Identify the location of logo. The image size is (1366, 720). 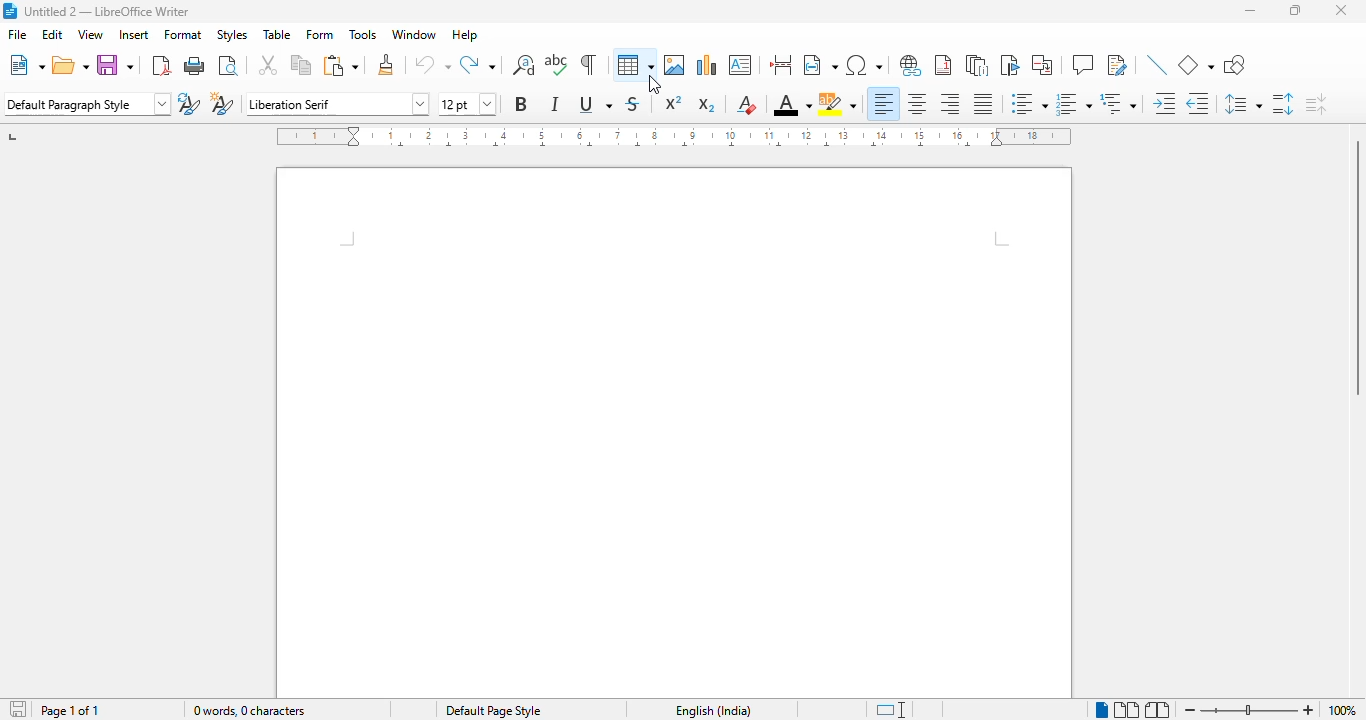
(10, 11).